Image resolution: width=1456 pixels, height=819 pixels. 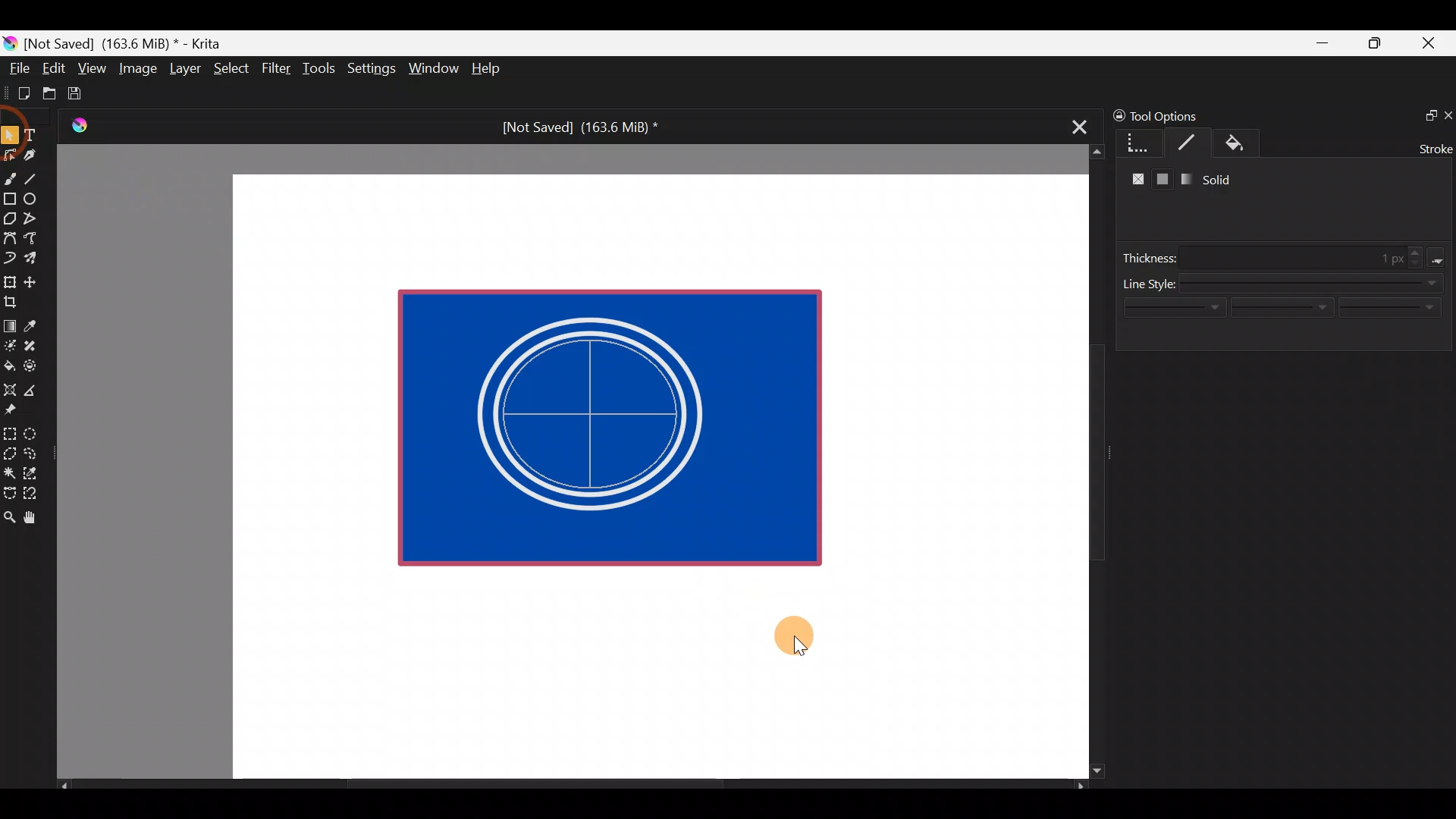 What do you see at coordinates (1178, 116) in the screenshot?
I see `Tool options` at bounding box center [1178, 116].